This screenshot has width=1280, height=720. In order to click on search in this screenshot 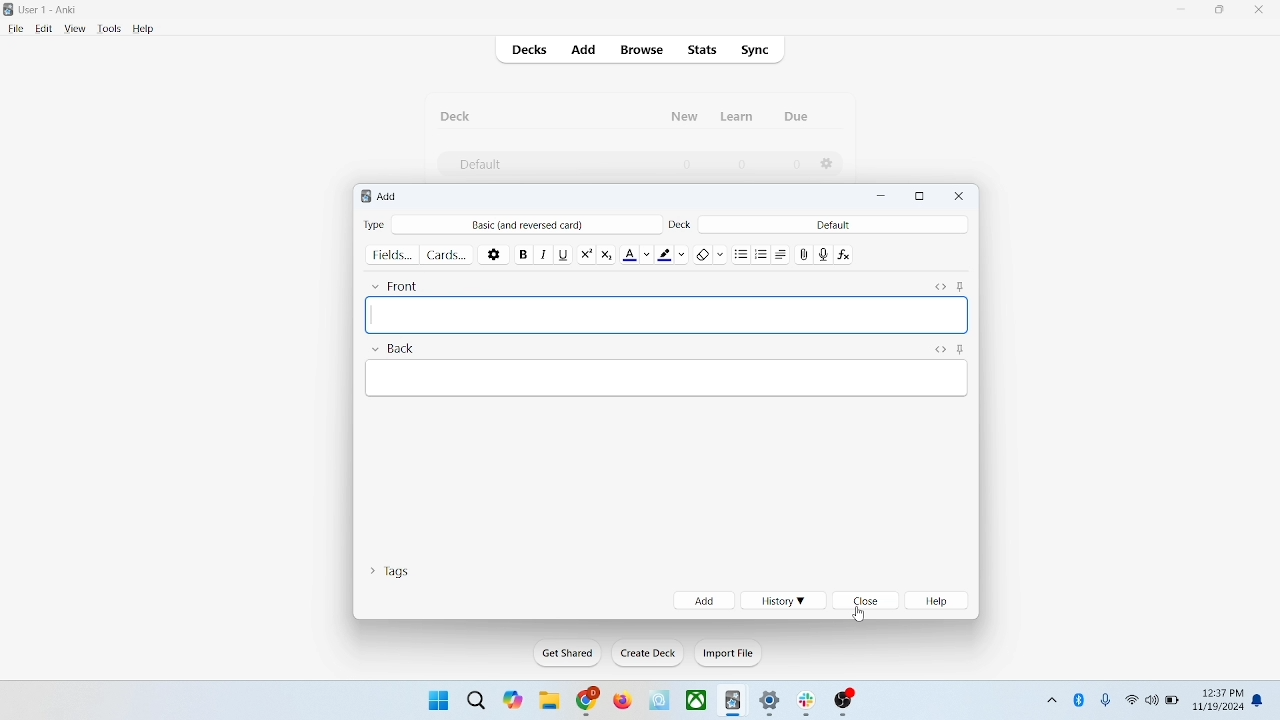, I will do `click(477, 699)`.